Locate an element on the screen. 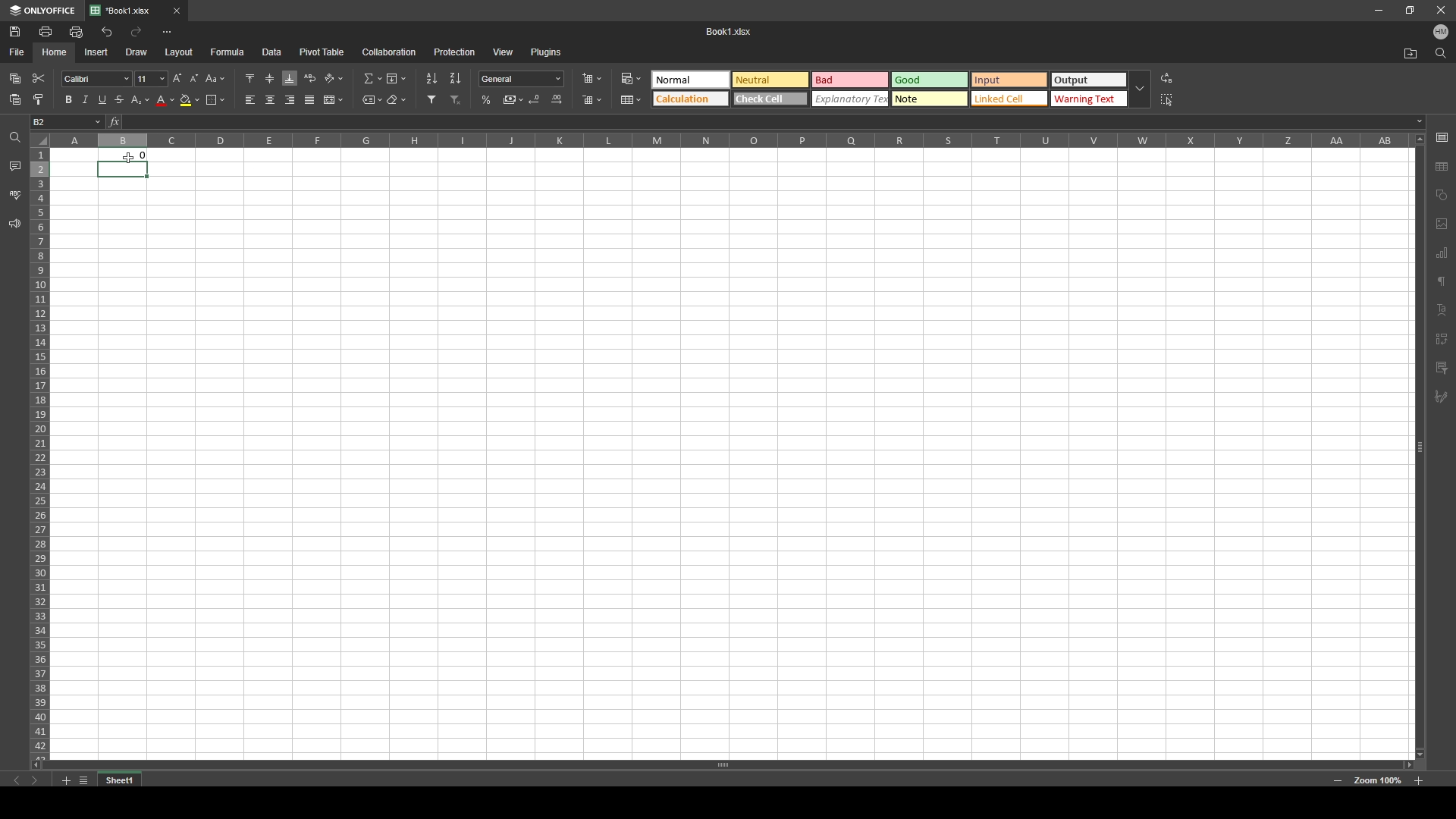 This screenshot has height=819, width=1456. spell check is located at coordinates (14, 195).